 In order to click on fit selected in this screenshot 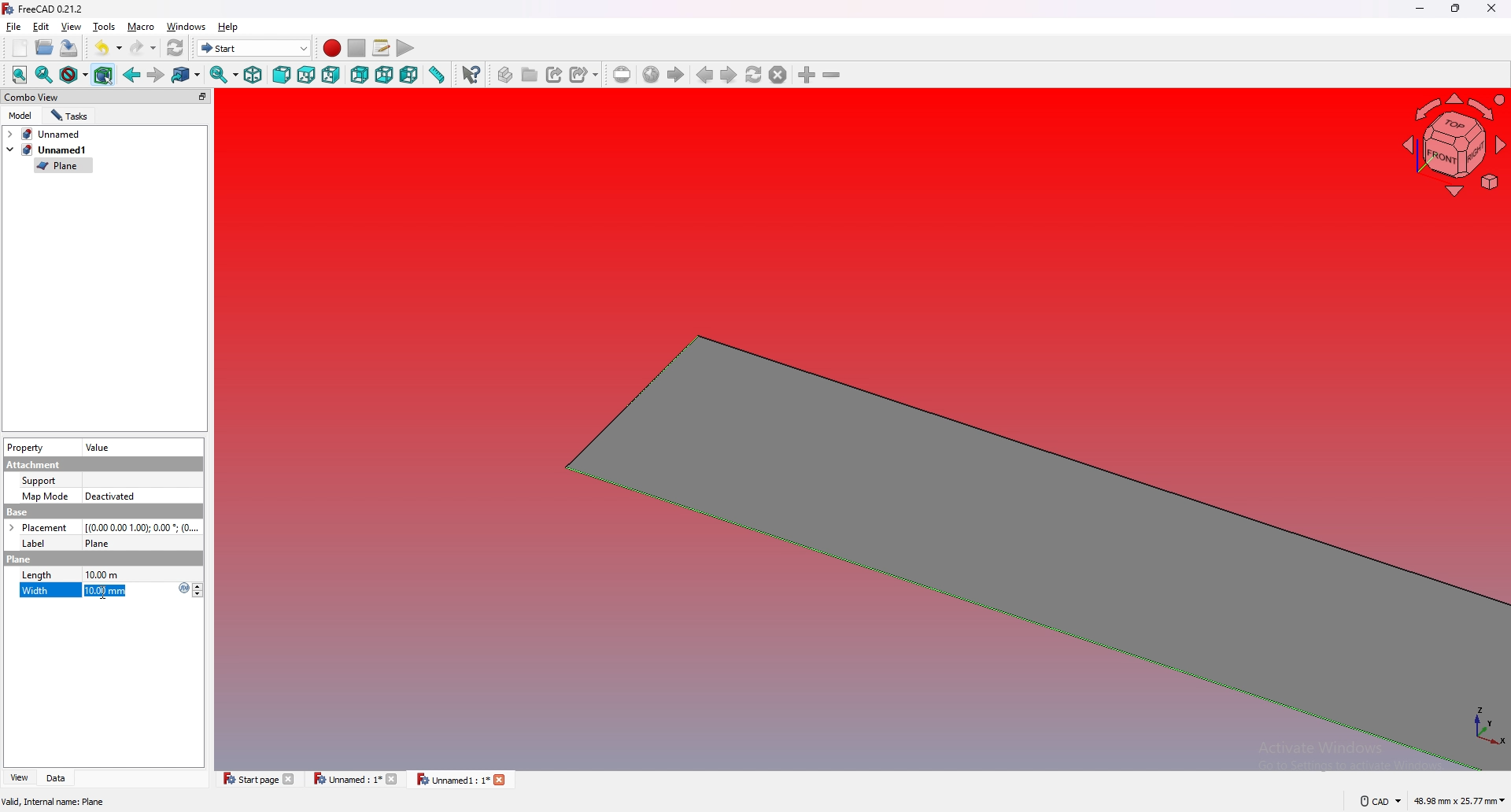, I will do `click(44, 75)`.